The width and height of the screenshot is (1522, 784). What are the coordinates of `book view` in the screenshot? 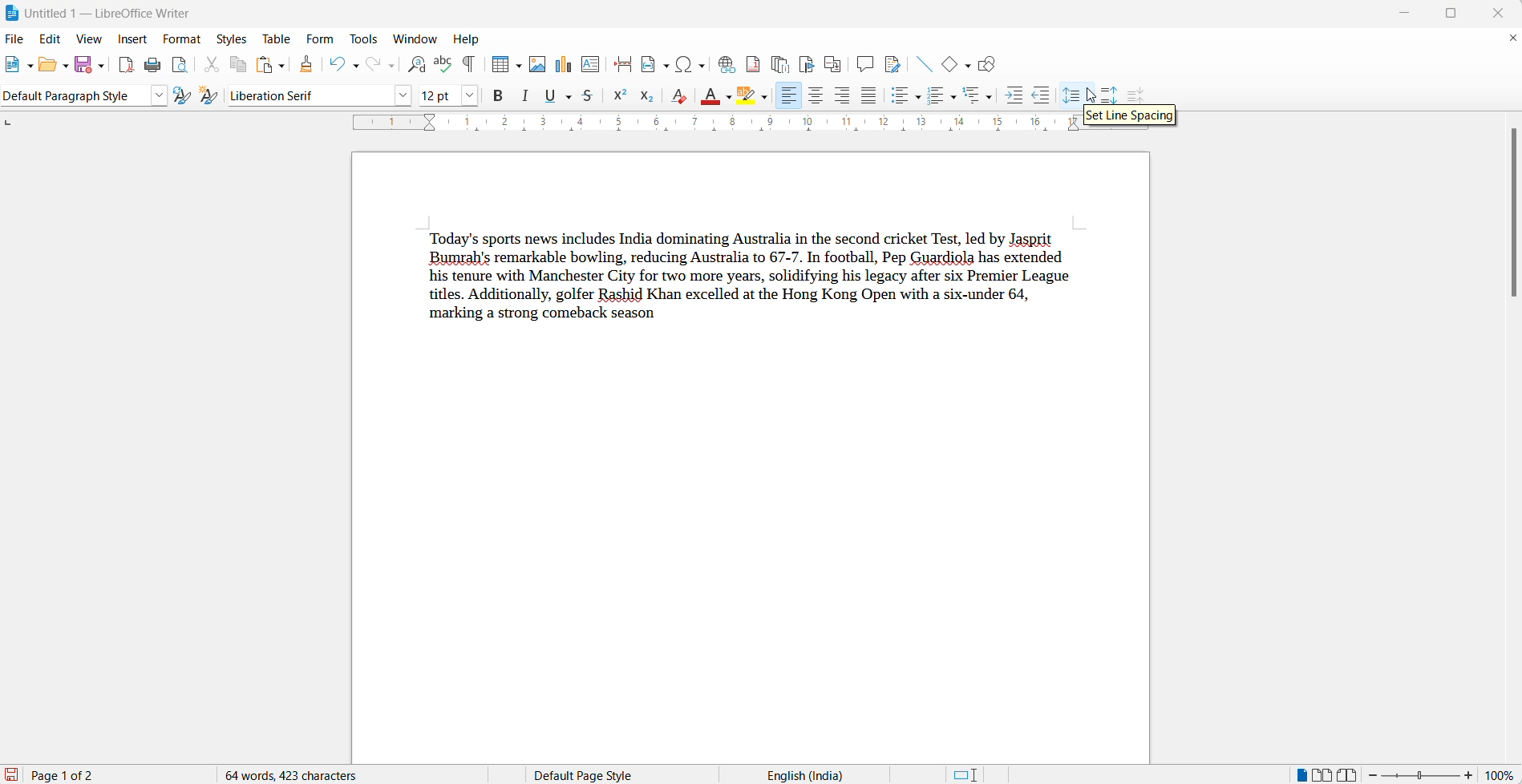 It's located at (1350, 773).